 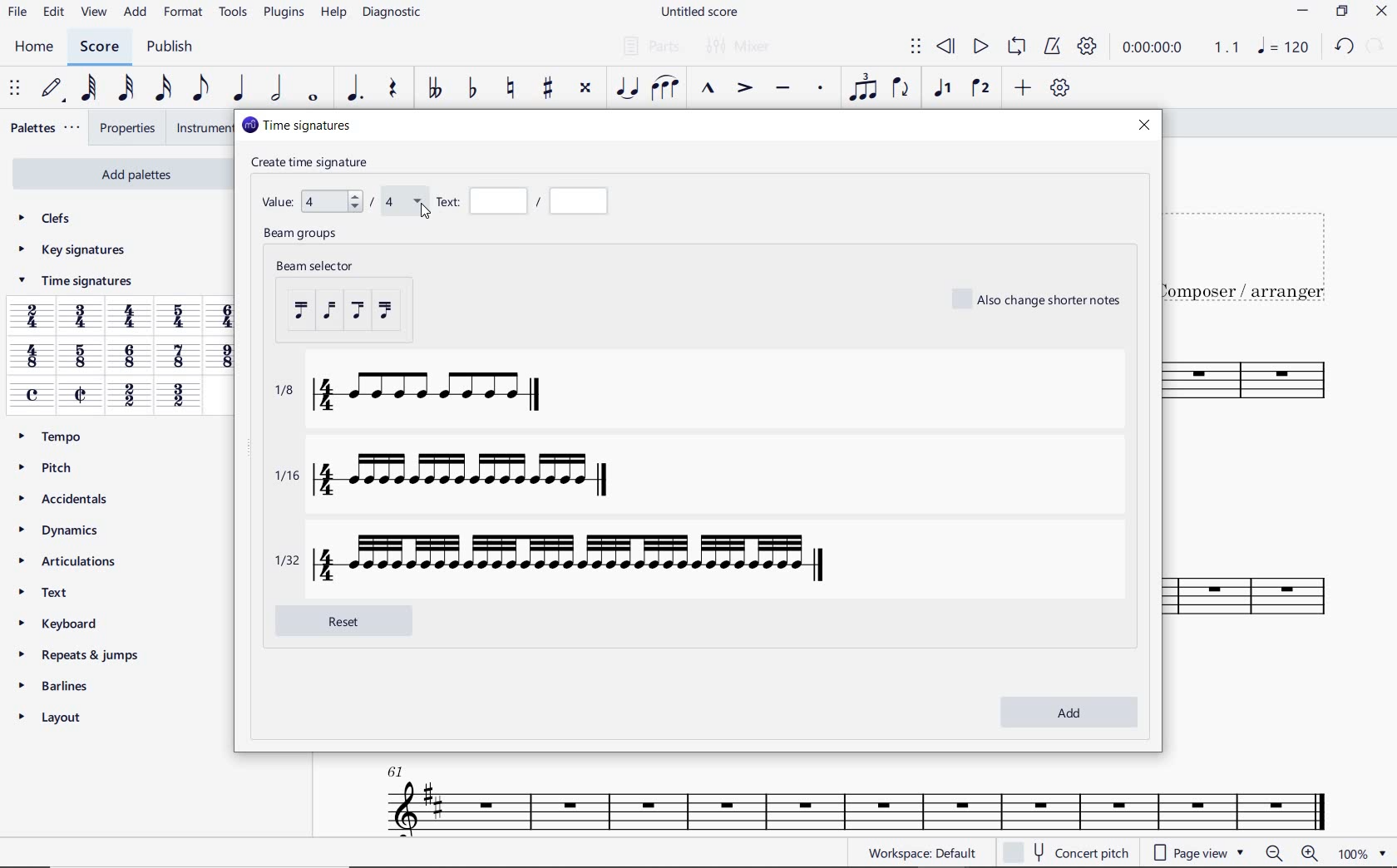 What do you see at coordinates (558, 557) in the screenshot?
I see `1/32` at bounding box center [558, 557].